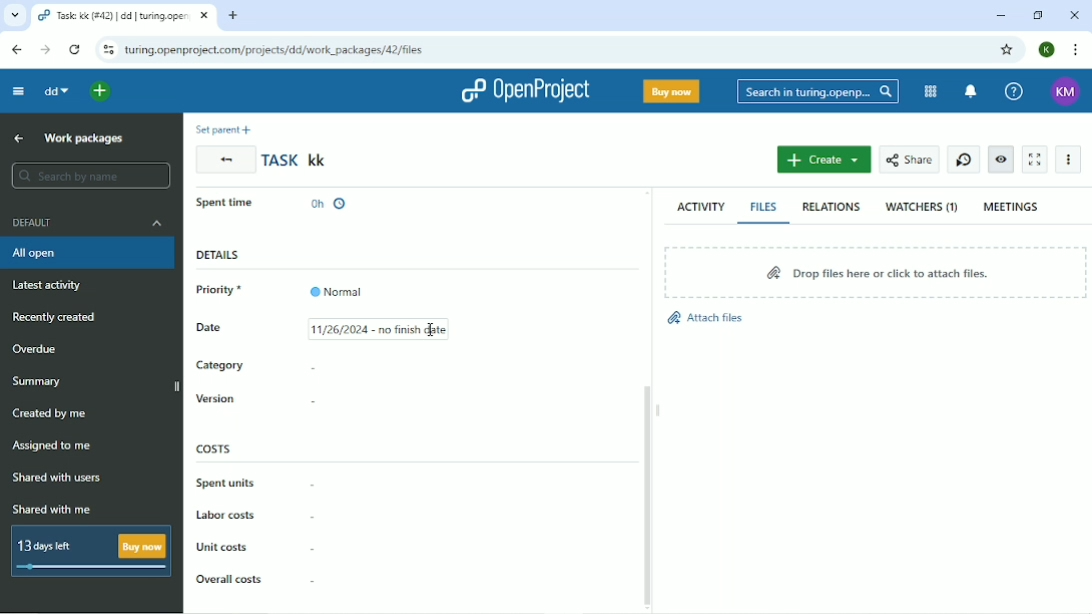 Image resolution: width=1092 pixels, height=614 pixels. Describe the element at coordinates (648, 493) in the screenshot. I see `Vertical scrollbar` at that location.